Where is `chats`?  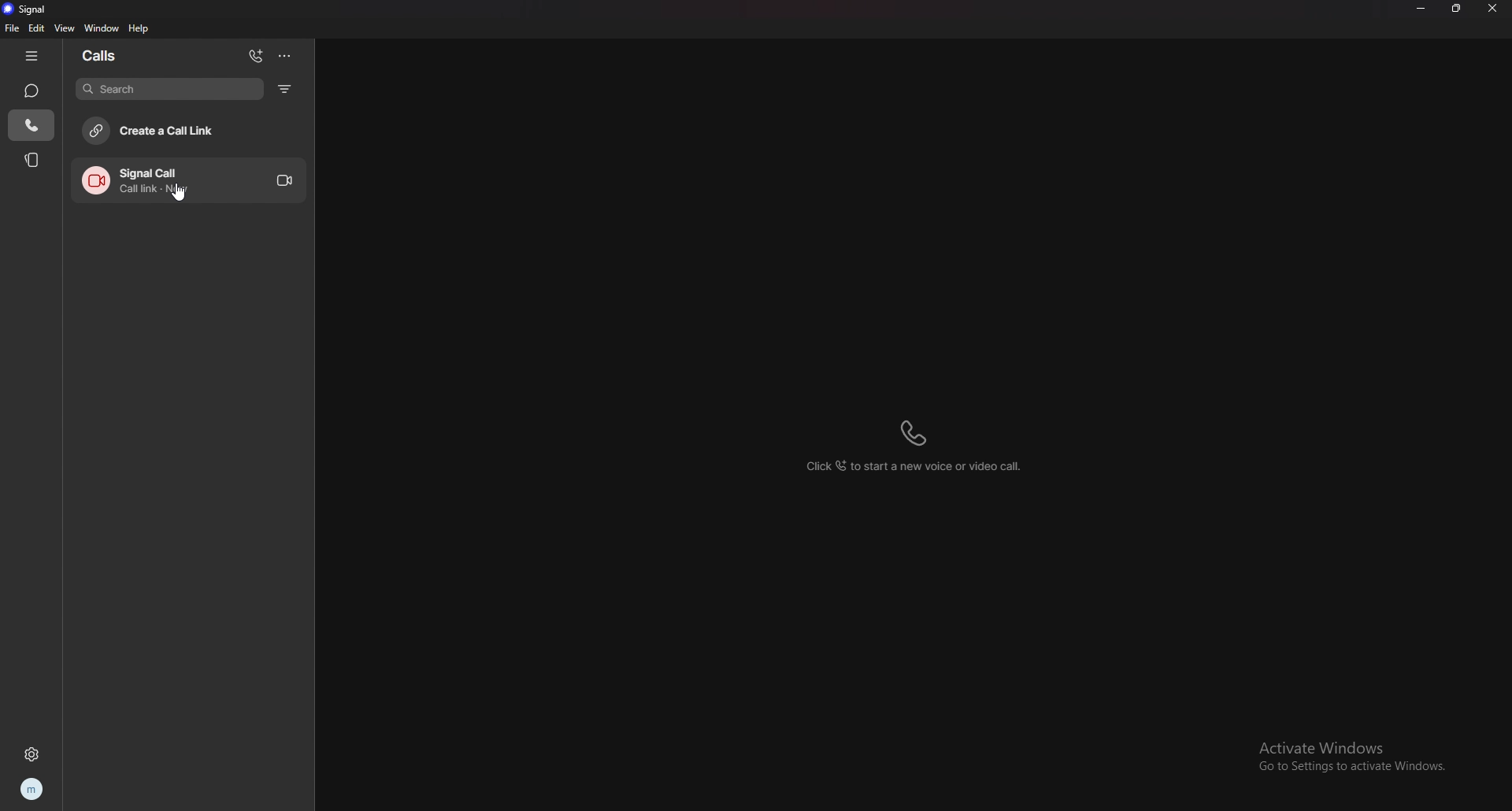 chats is located at coordinates (32, 91).